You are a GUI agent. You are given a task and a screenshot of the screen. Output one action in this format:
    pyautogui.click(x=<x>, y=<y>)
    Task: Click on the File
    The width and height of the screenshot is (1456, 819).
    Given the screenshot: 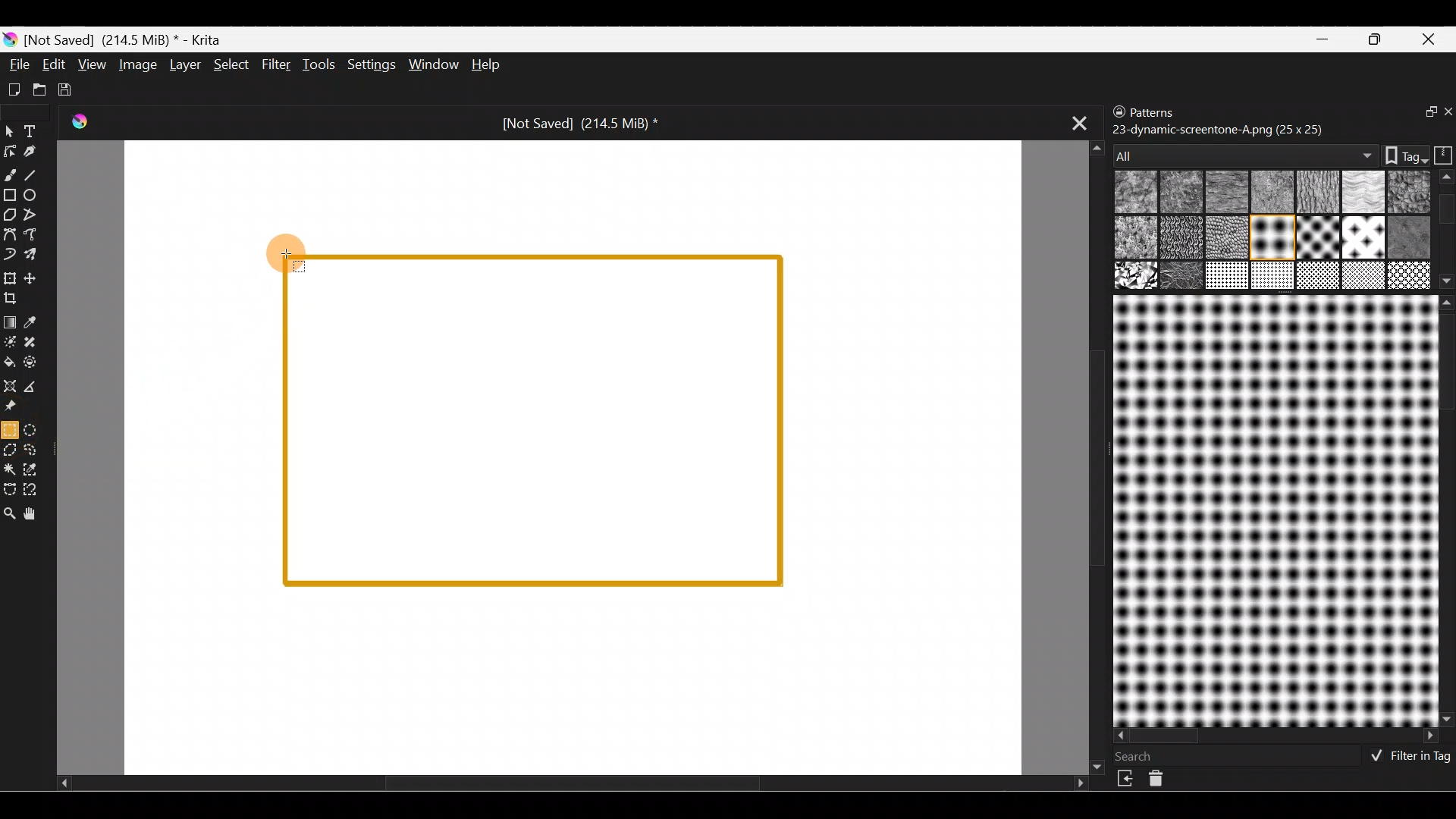 What is the action you would take?
    pyautogui.click(x=17, y=64)
    